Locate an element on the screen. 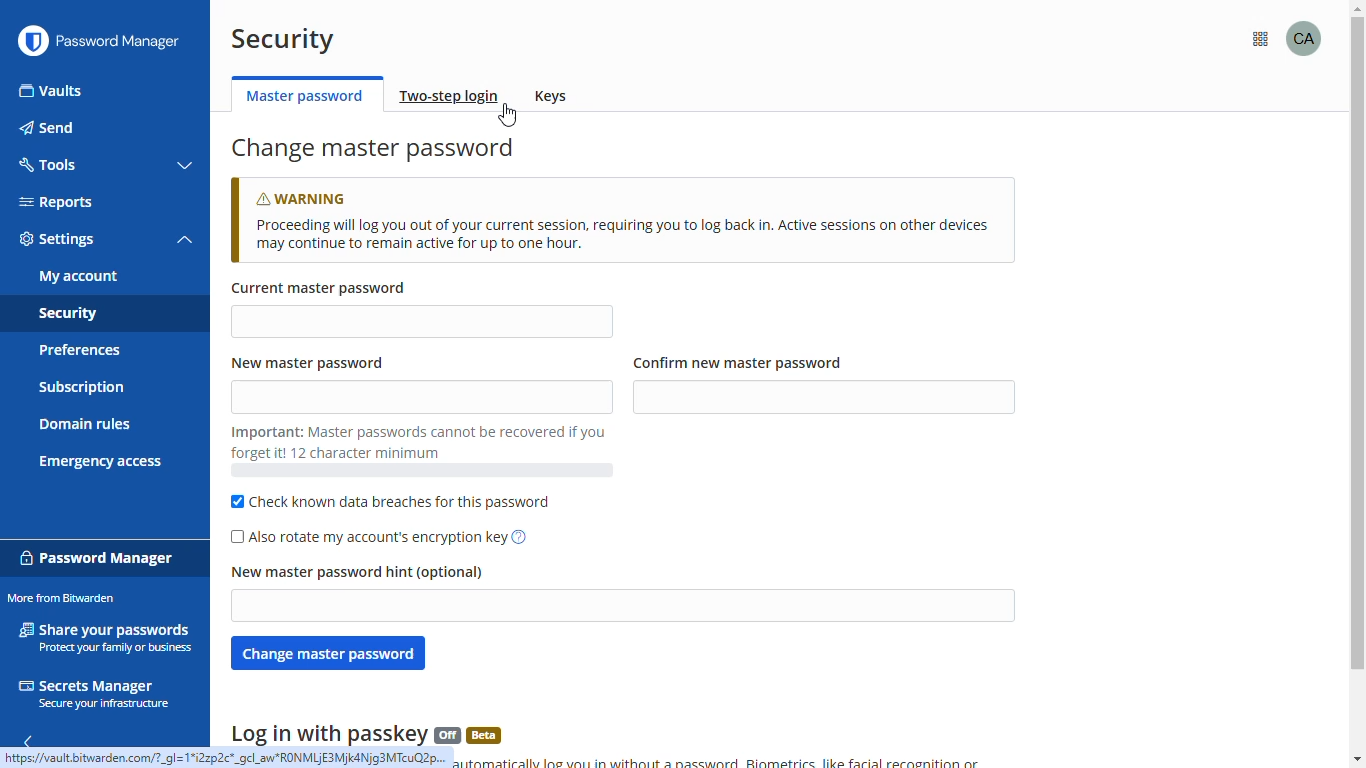 The width and height of the screenshot is (1366, 768). domain rules is located at coordinates (85, 426).